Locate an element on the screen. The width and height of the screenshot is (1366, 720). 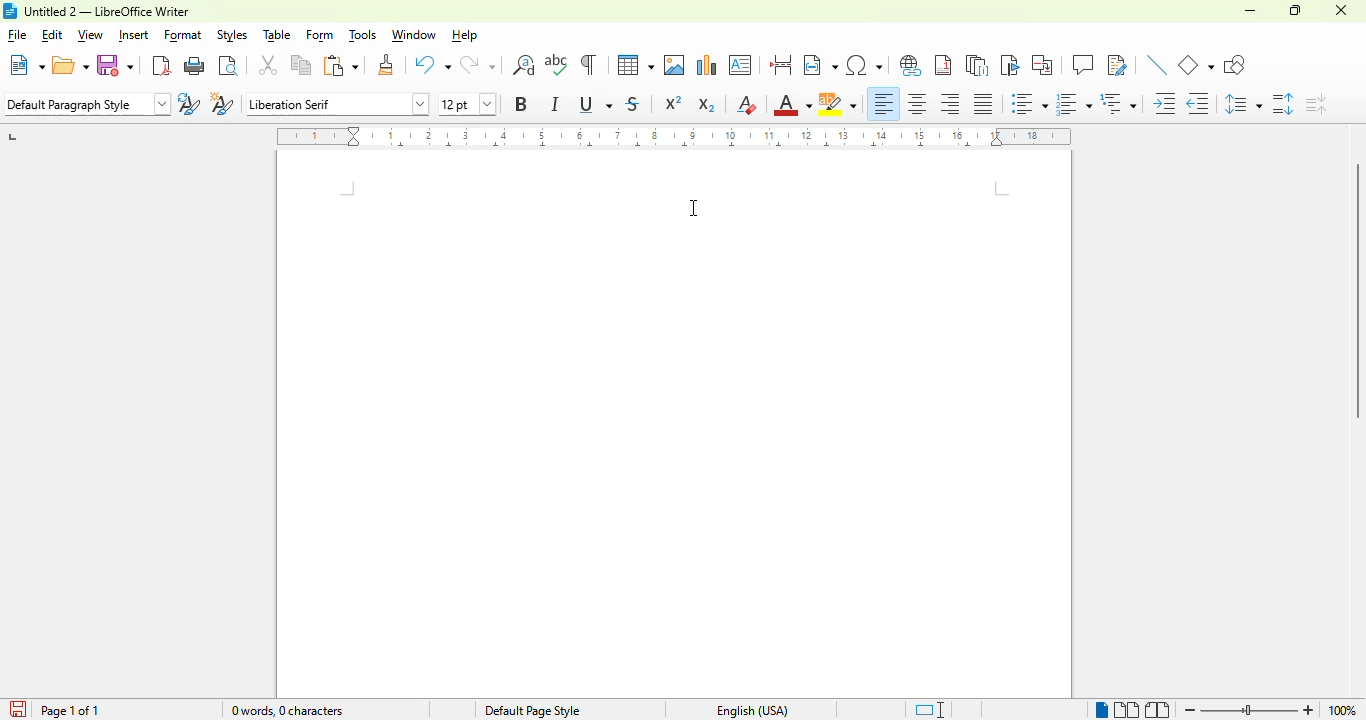
insert is located at coordinates (134, 35).